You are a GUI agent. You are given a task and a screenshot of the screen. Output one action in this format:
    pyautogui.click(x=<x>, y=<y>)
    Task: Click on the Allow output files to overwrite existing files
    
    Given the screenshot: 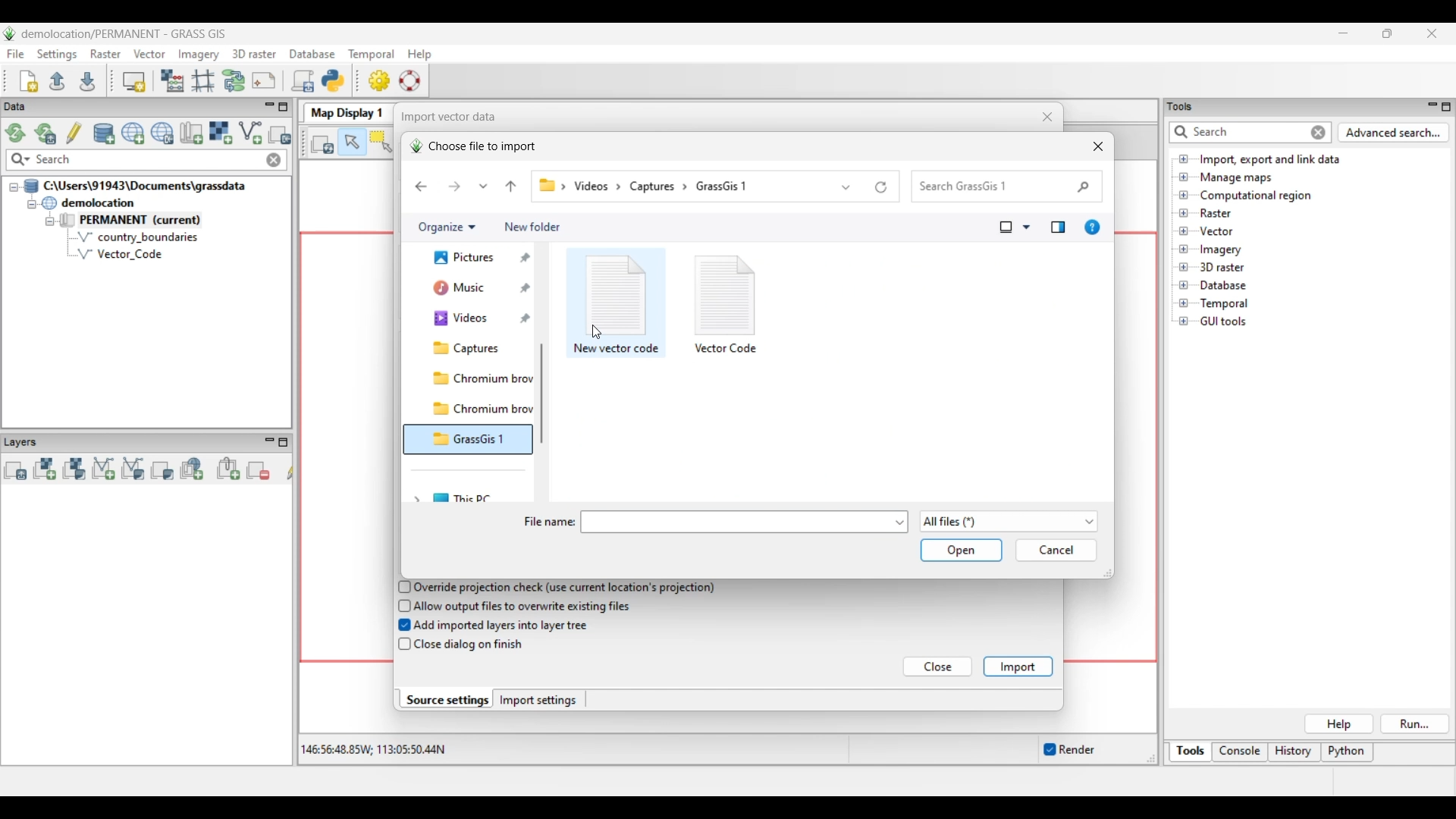 What is the action you would take?
    pyautogui.click(x=525, y=606)
    